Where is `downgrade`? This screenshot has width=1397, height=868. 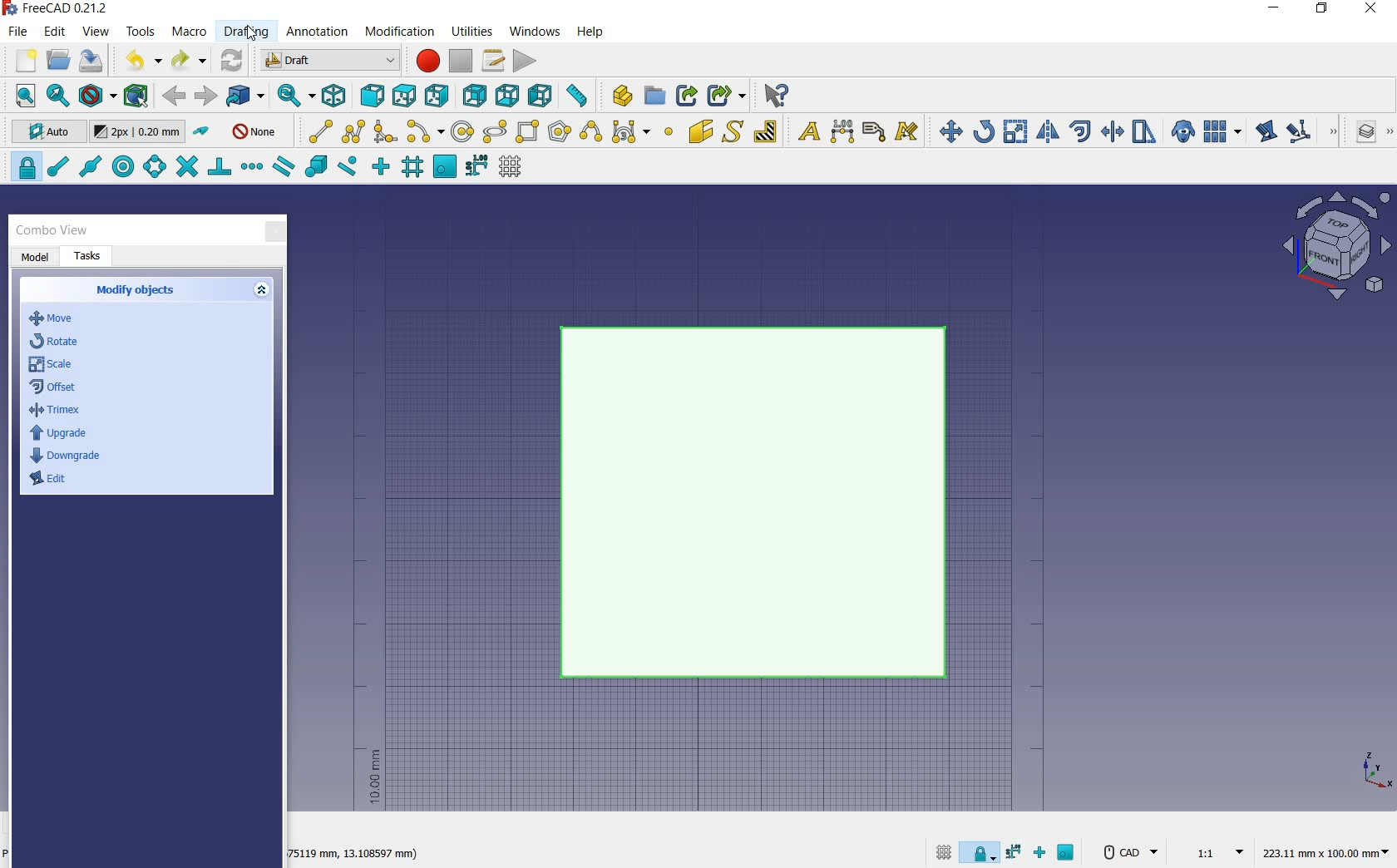 downgrade is located at coordinates (68, 456).